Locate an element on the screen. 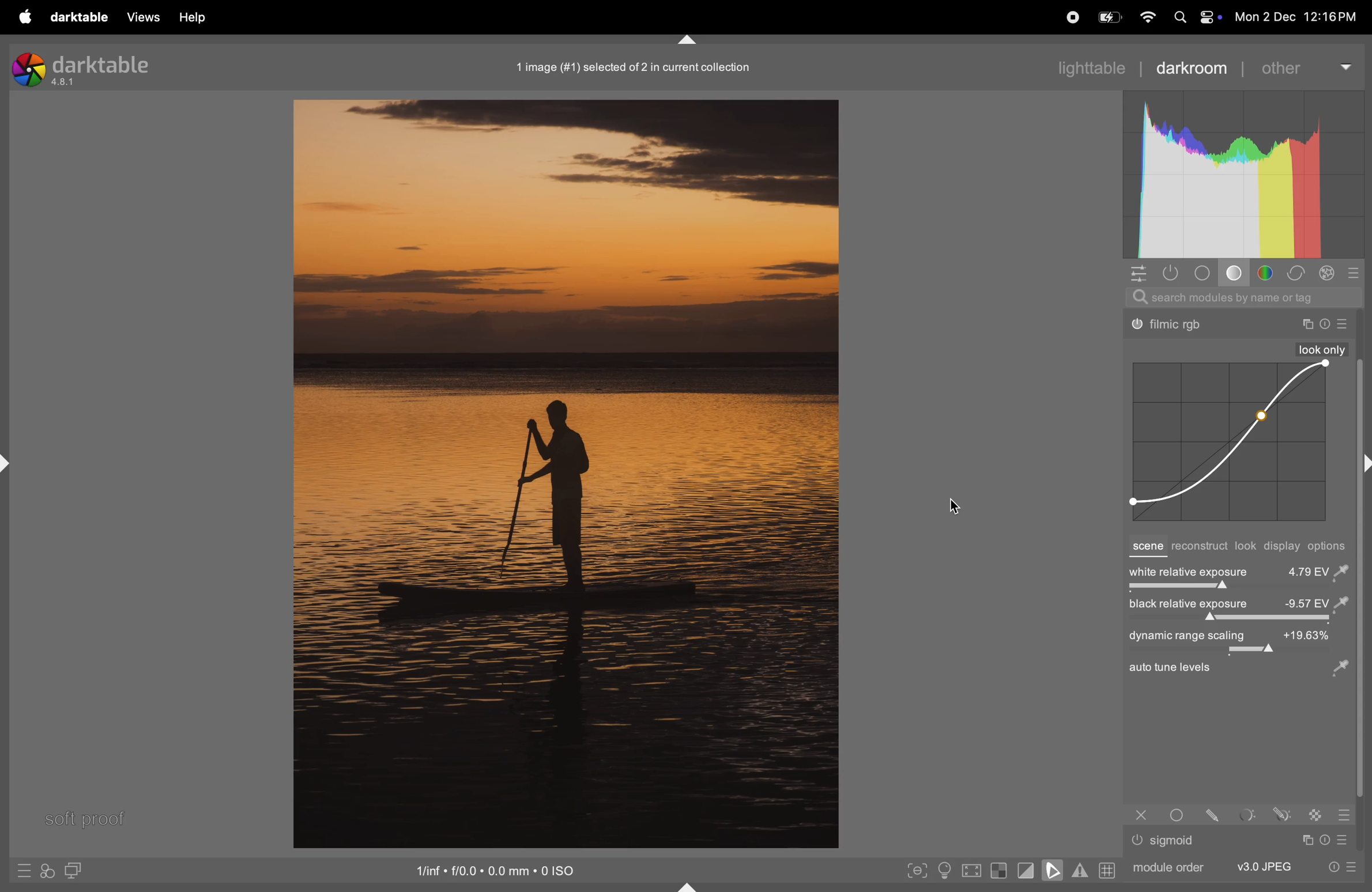  record is located at coordinates (1069, 16).